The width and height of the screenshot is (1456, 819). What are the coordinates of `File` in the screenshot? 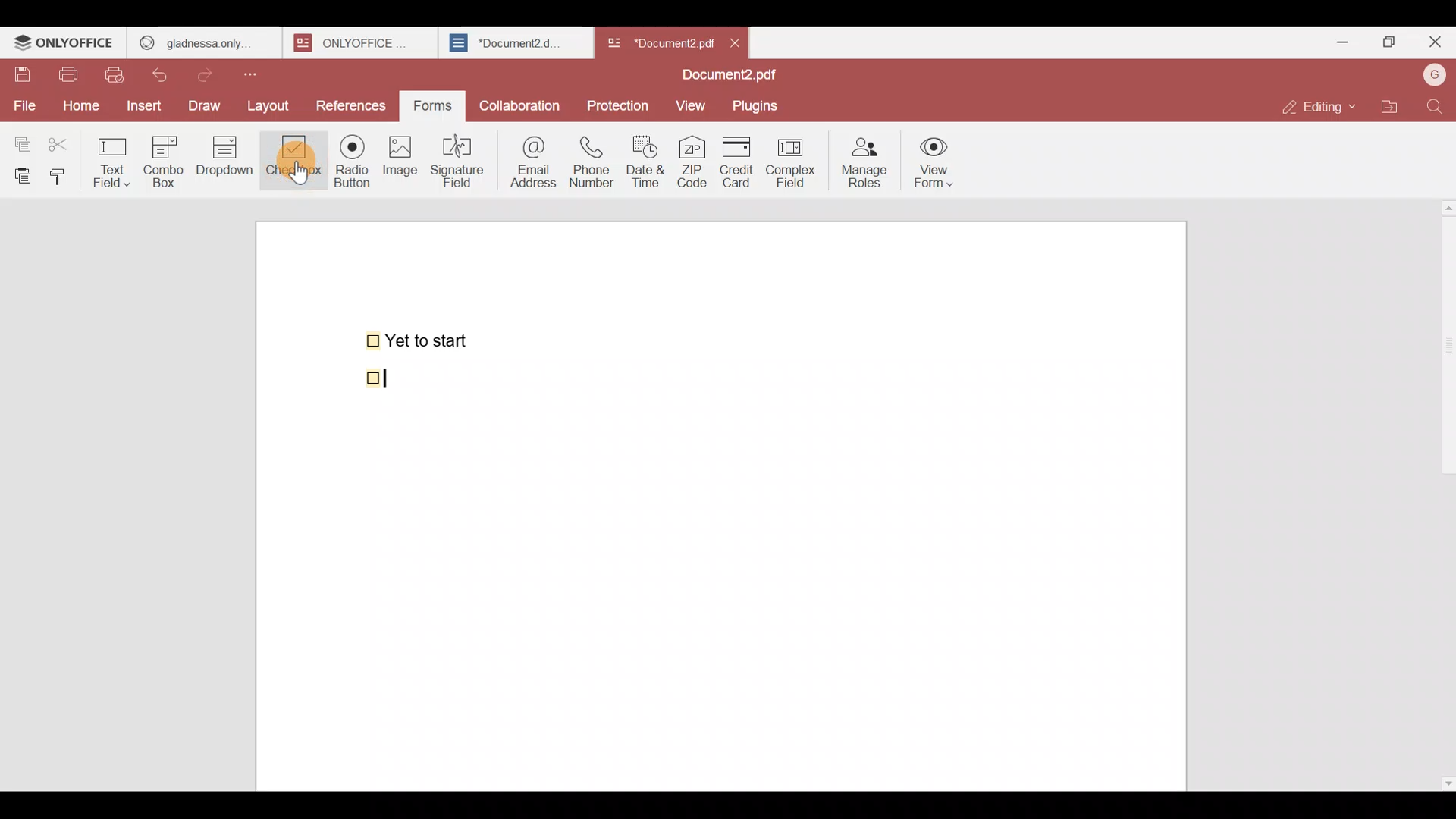 It's located at (24, 104).